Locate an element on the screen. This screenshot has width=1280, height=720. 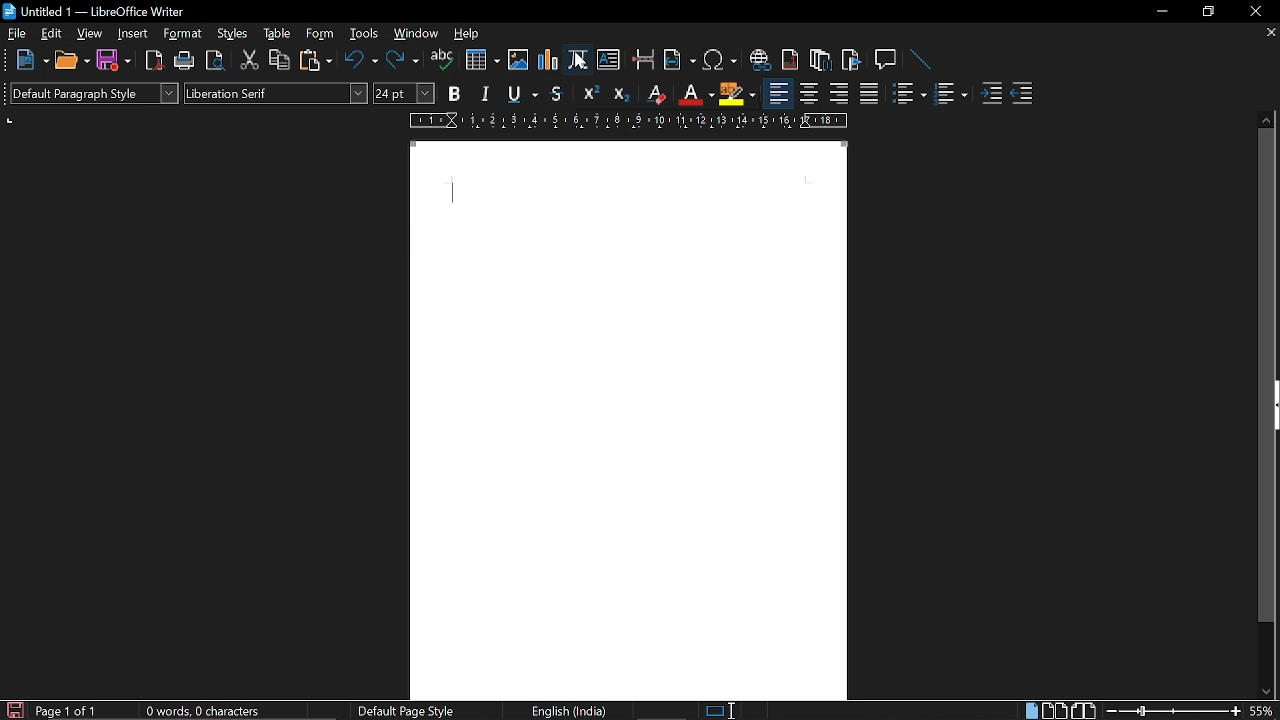
eraser is located at coordinates (654, 94).